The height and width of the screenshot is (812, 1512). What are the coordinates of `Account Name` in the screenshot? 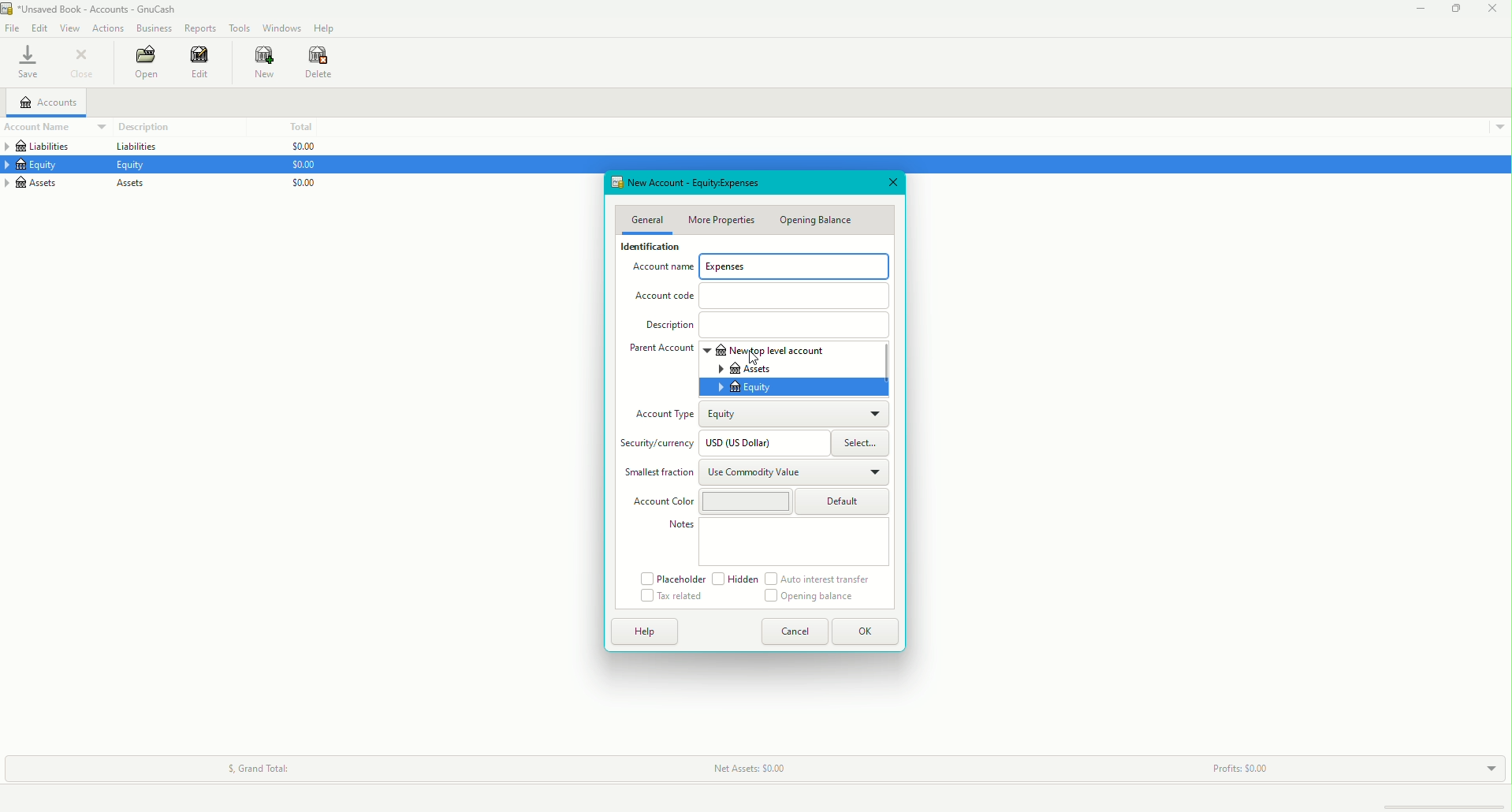 It's located at (47, 127).